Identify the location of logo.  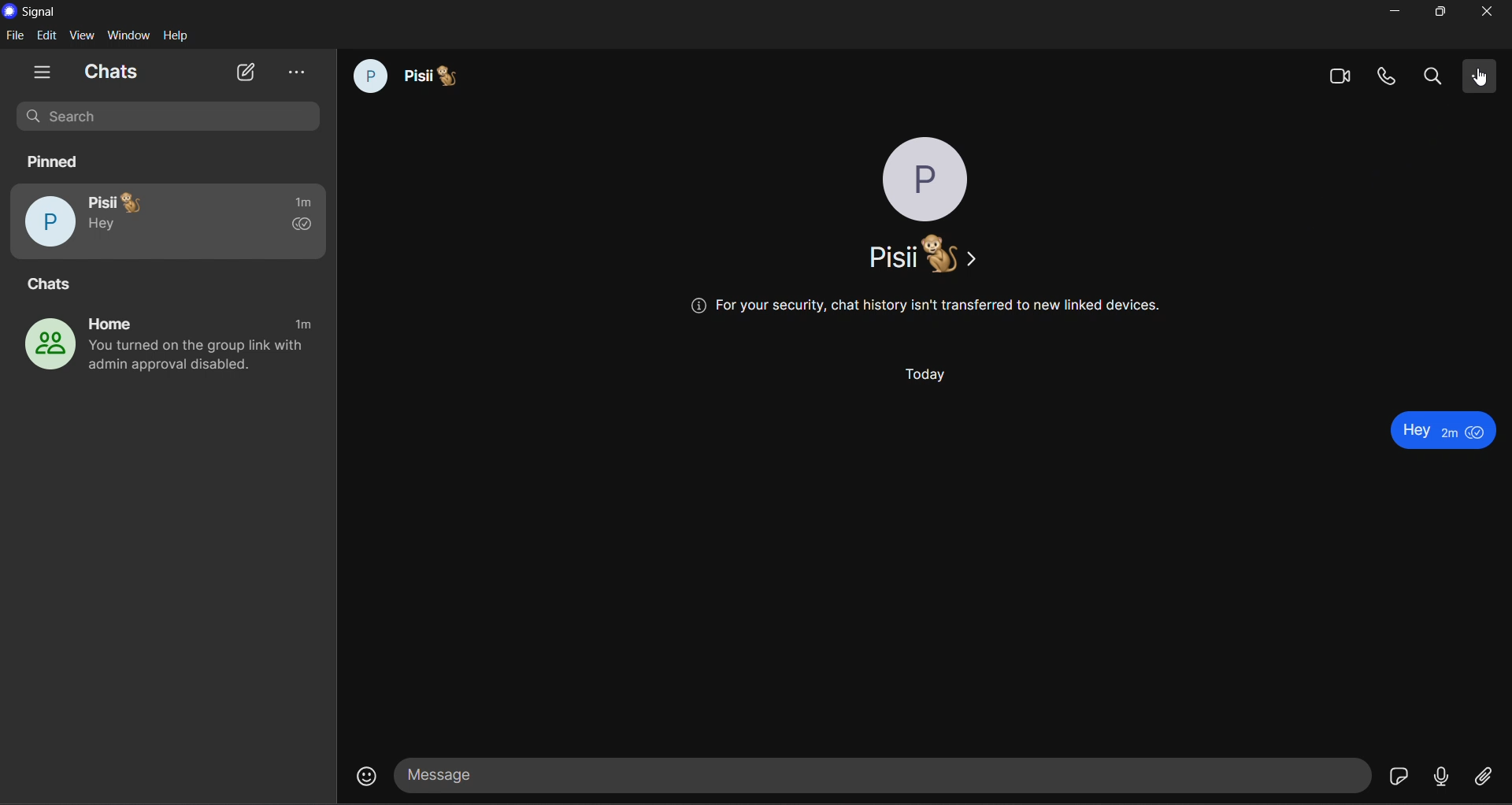
(10, 10).